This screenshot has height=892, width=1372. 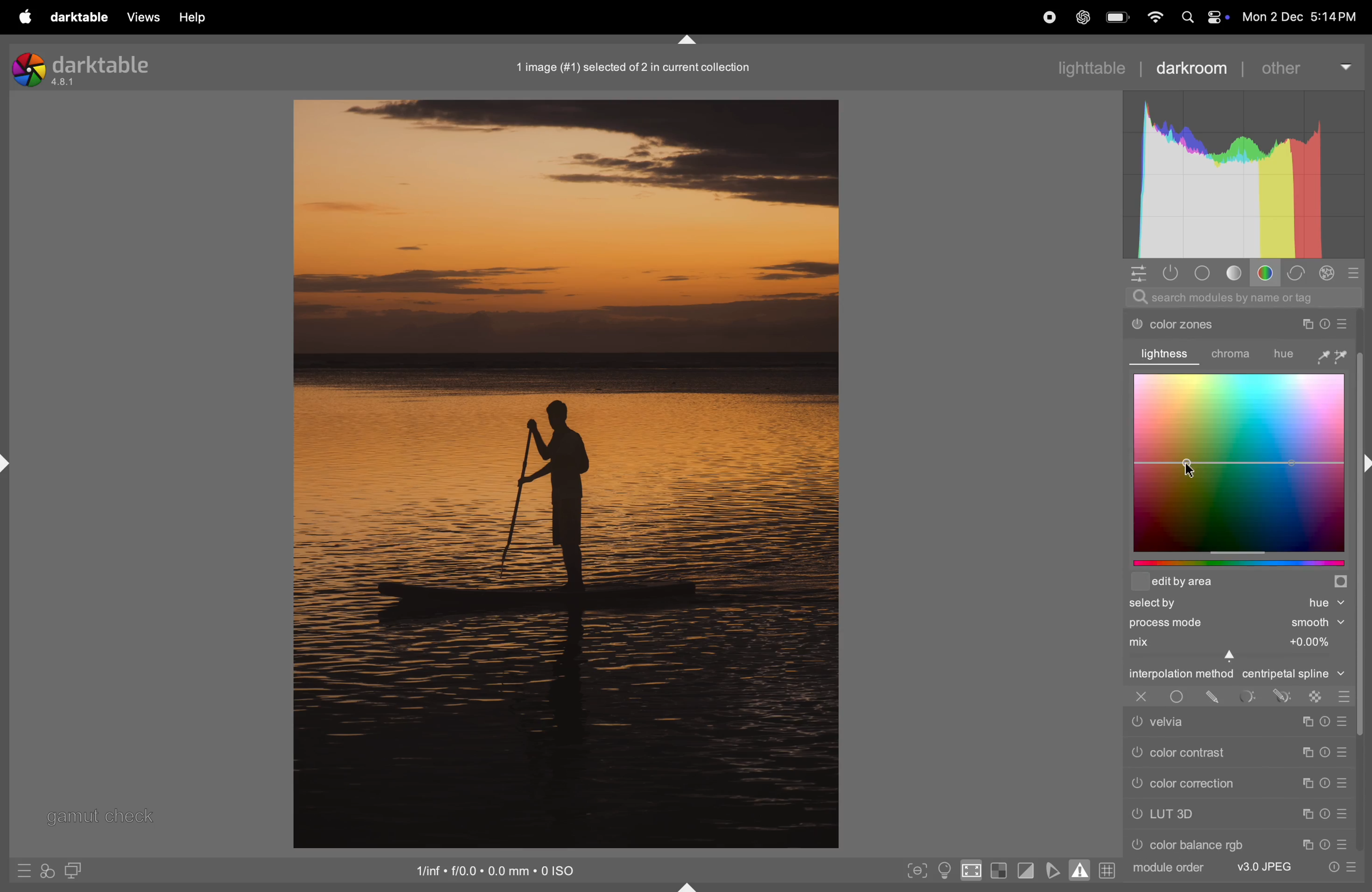 What do you see at coordinates (1324, 782) in the screenshot?
I see `Timer` at bounding box center [1324, 782].